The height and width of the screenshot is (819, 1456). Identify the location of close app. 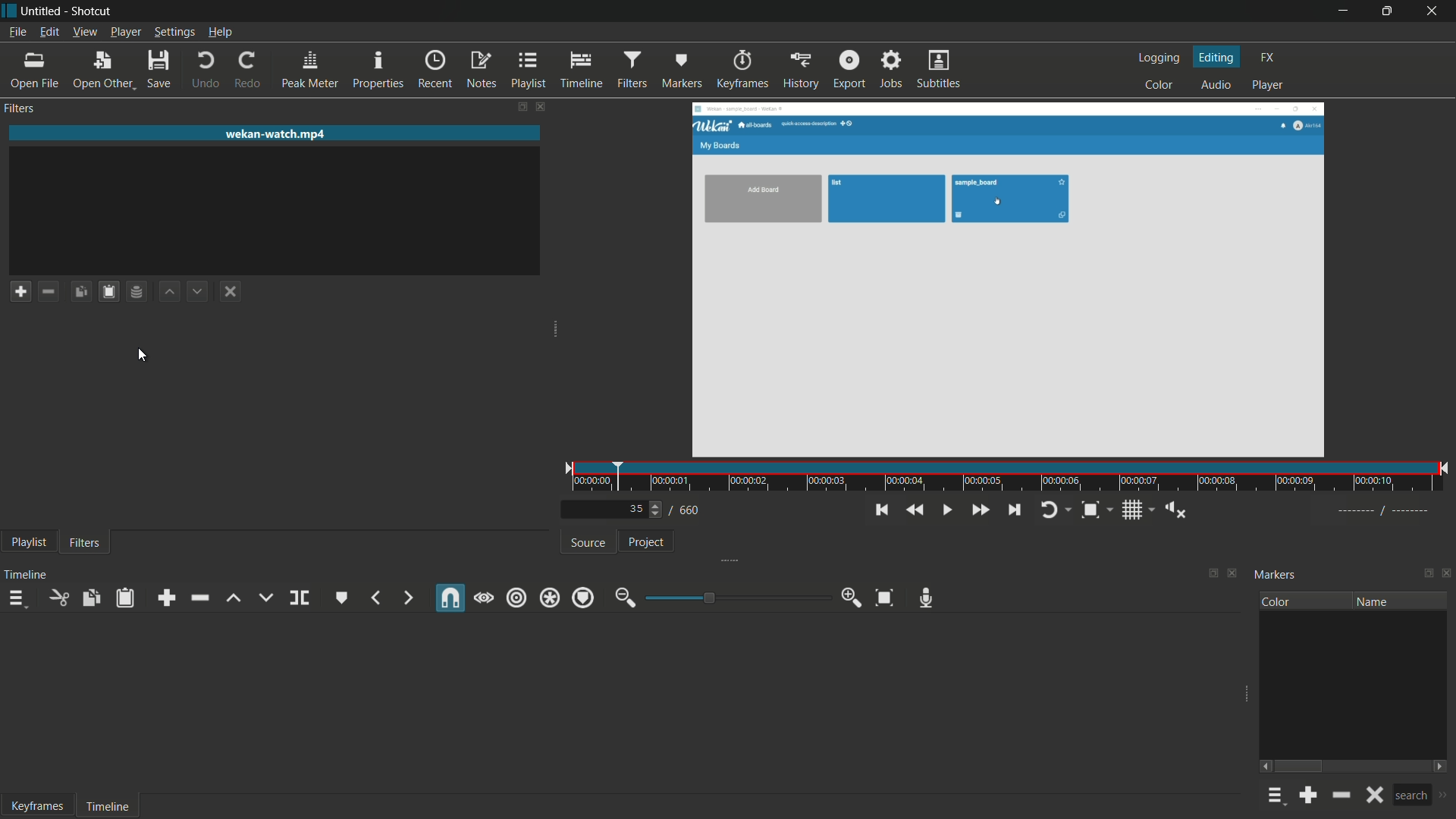
(1435, 11).